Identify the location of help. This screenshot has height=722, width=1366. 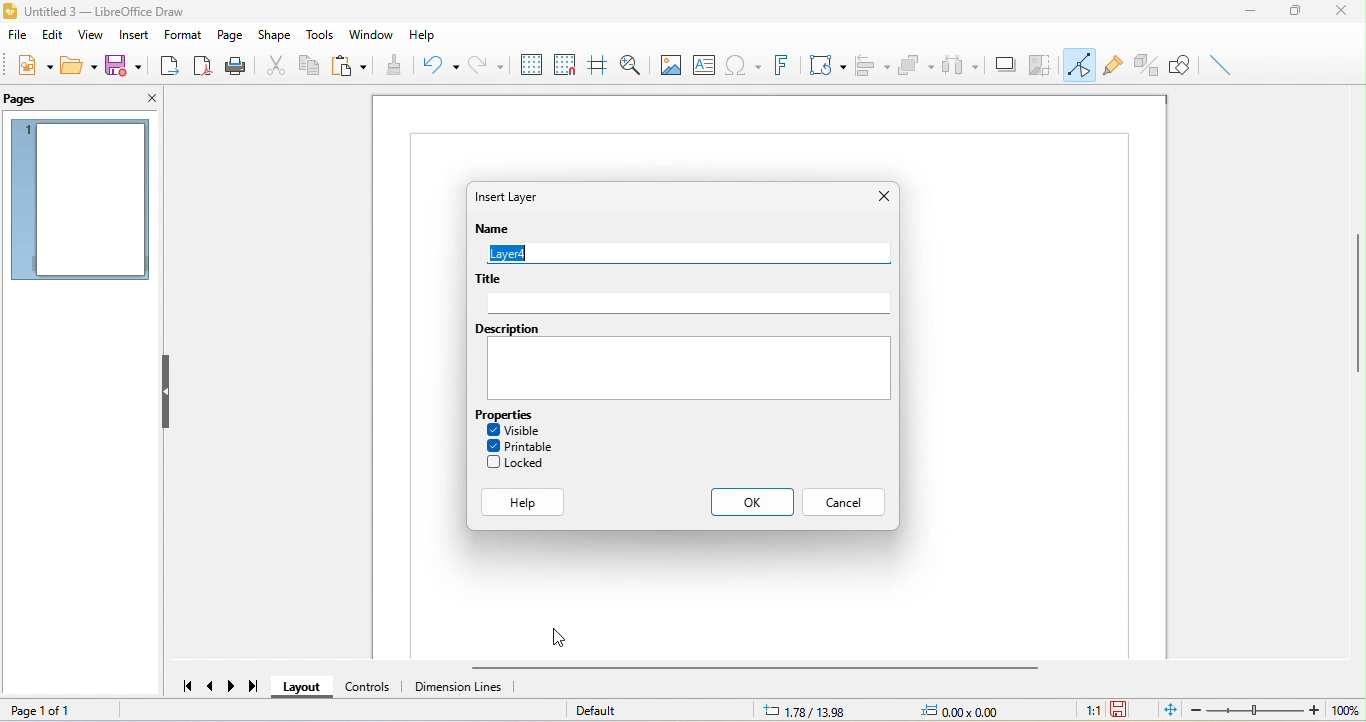
(524, 501).